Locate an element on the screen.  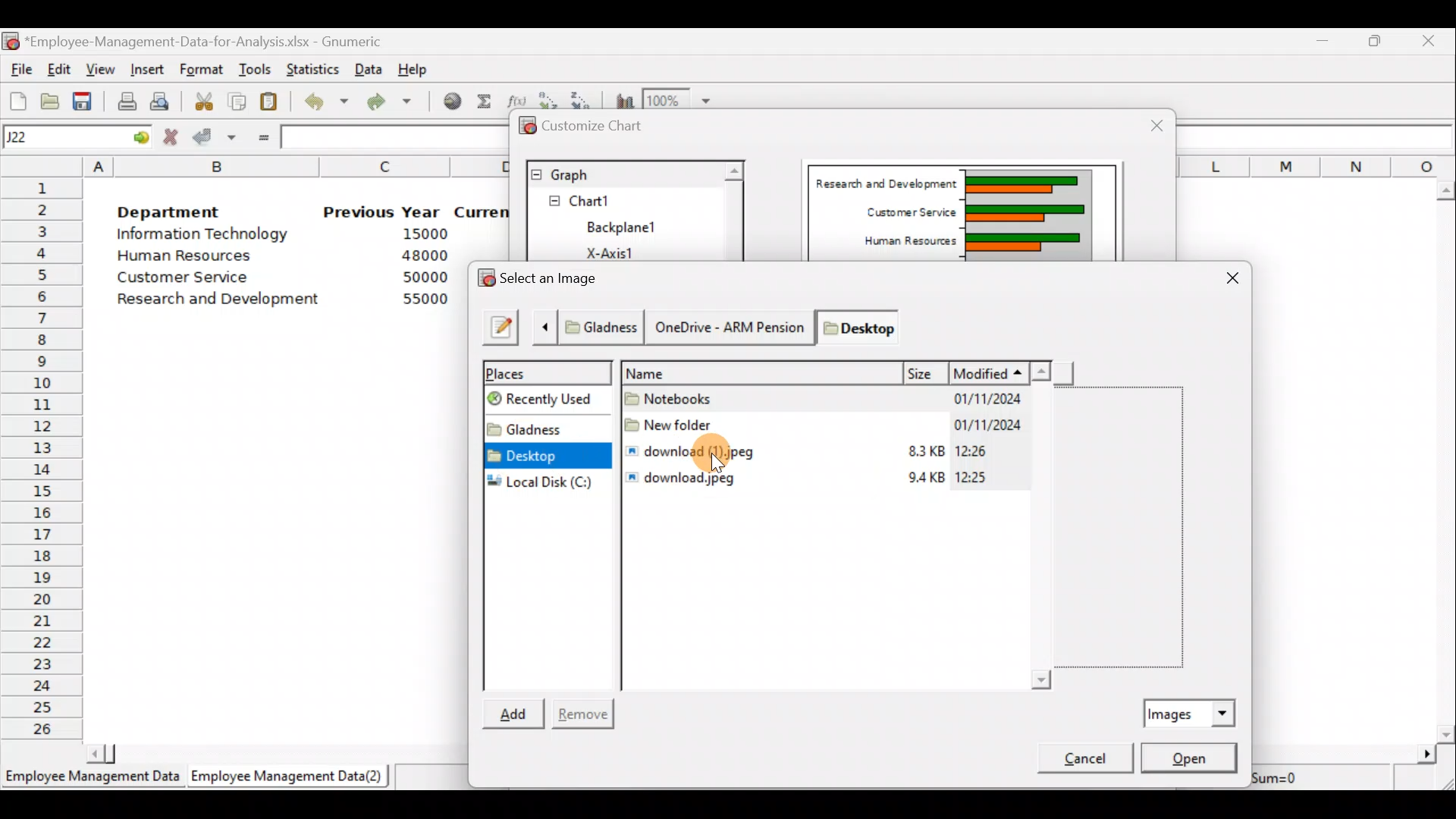
Scroll bar is located at coordinates (838, 678).